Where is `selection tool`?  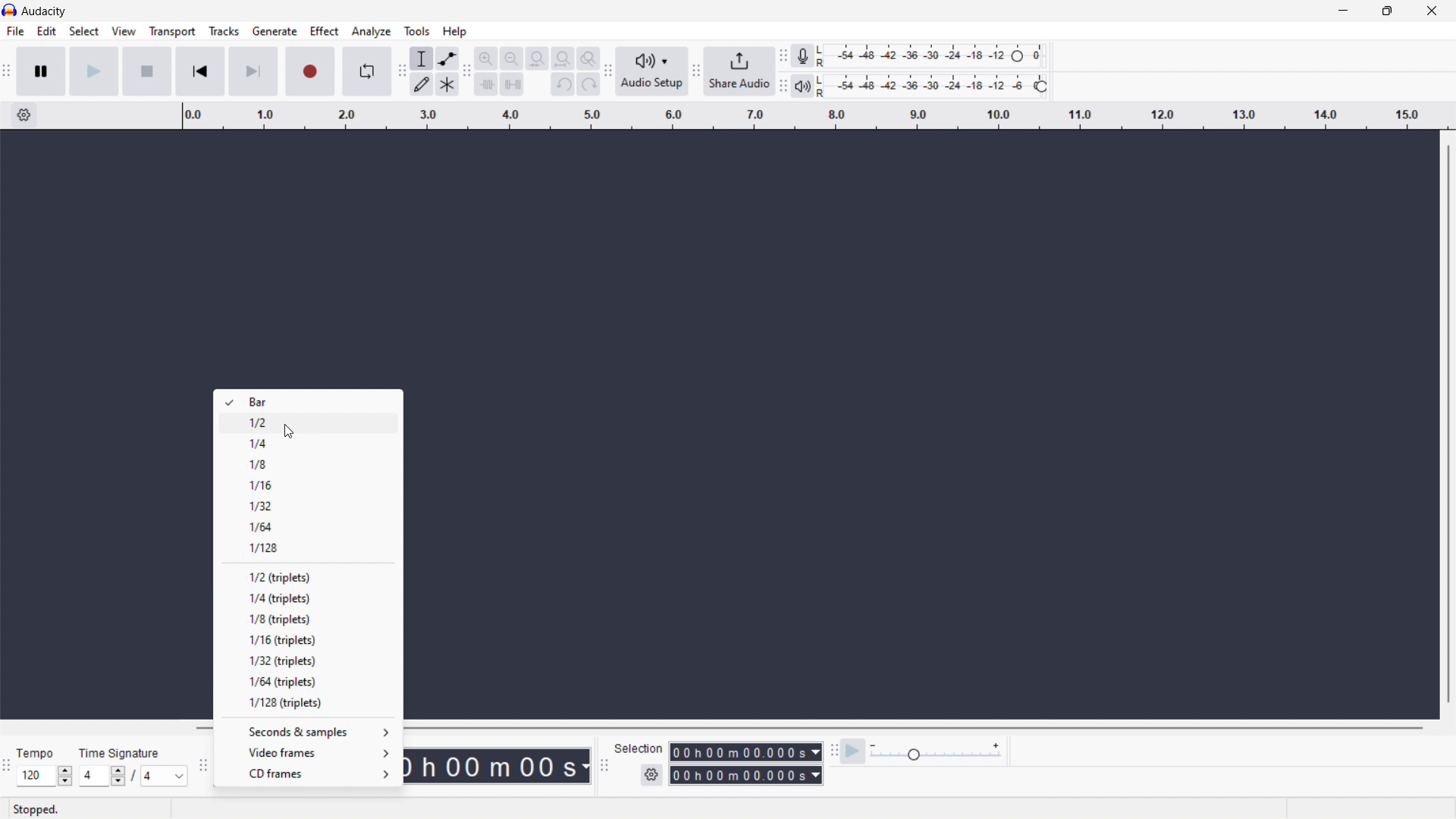
selection tool is located at coordinates (420, 58).